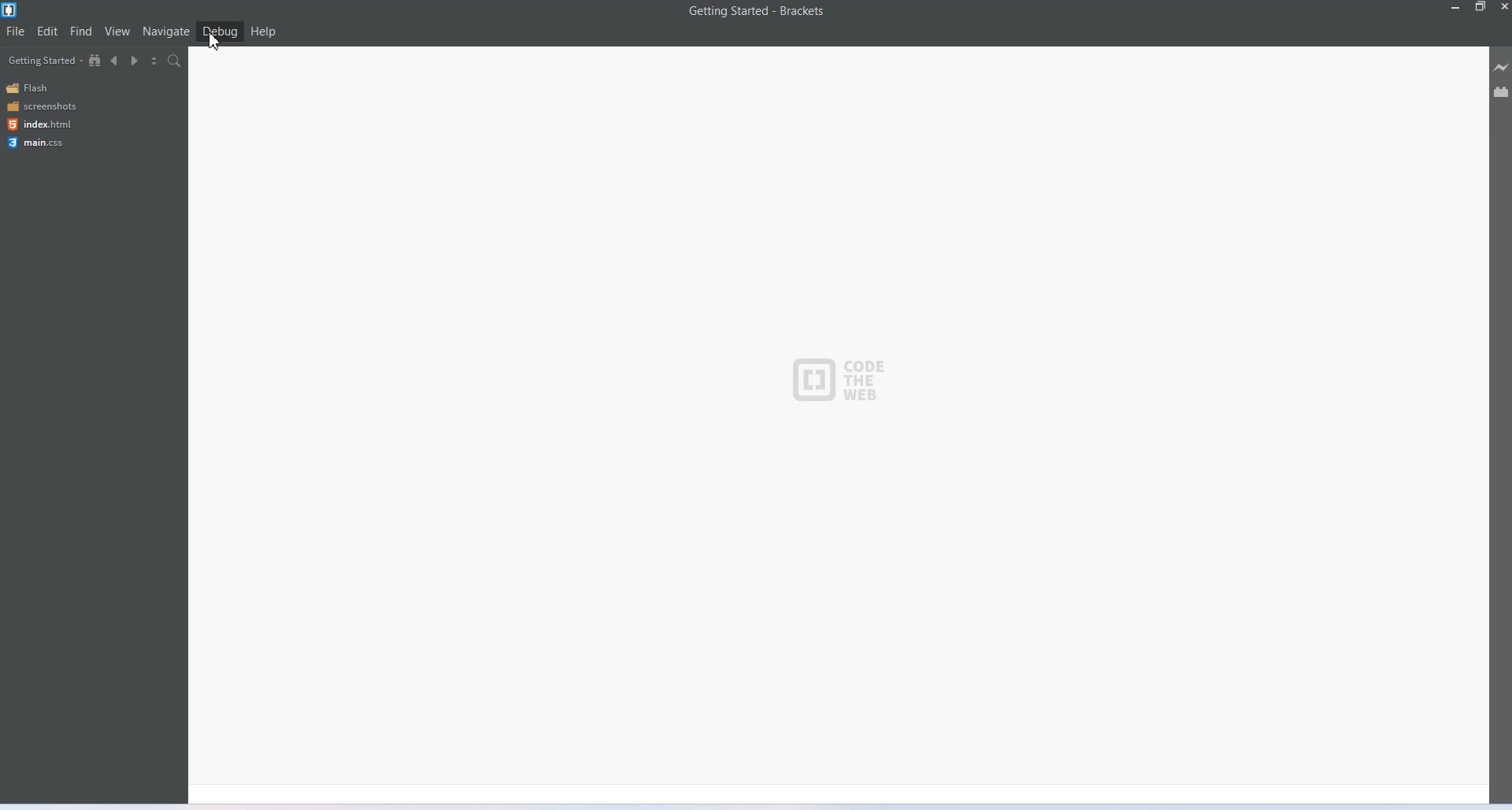  Describe the element at coordinates (1502, 67) in the screenshot. I see `Live preview` at that location.